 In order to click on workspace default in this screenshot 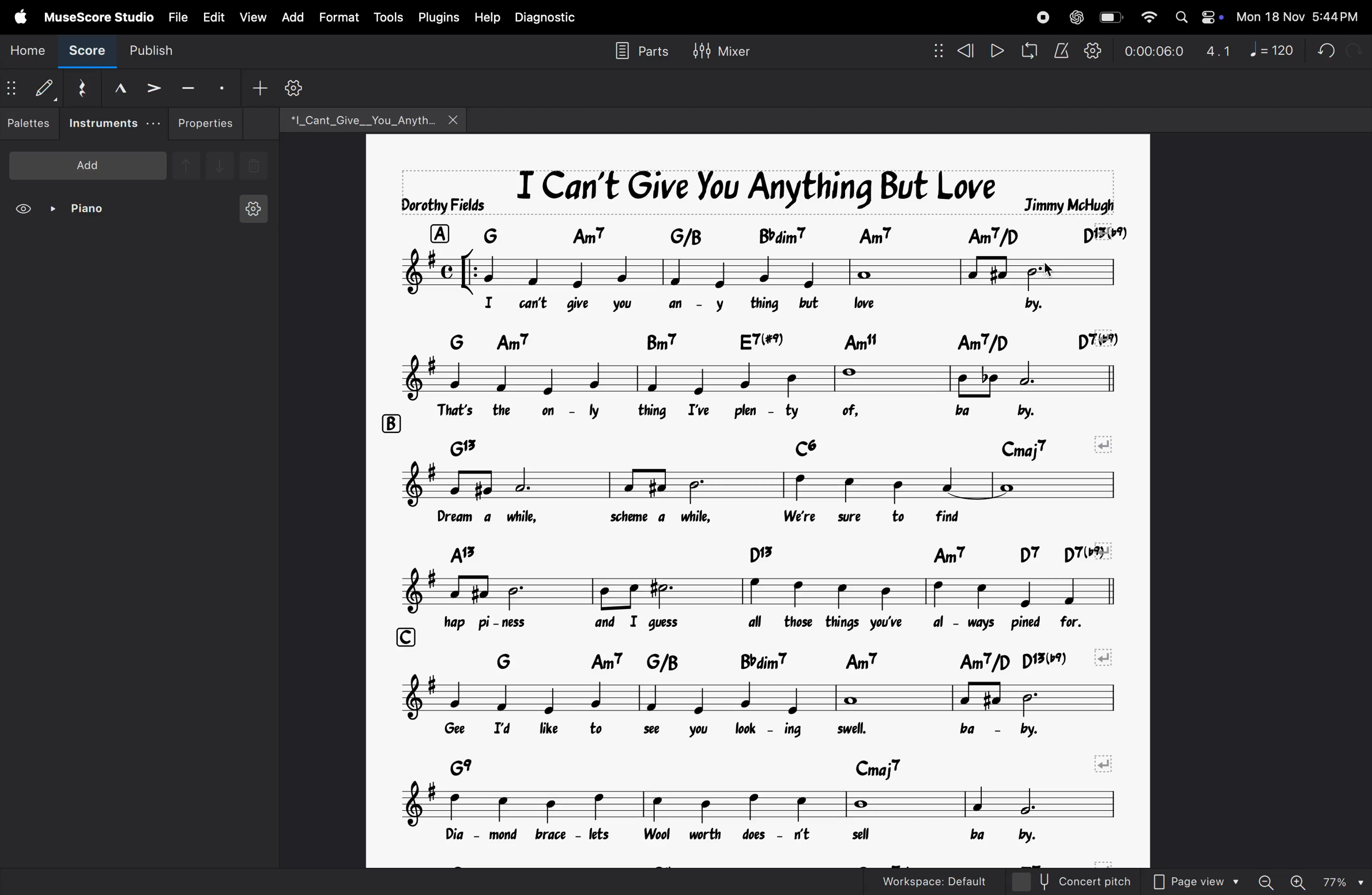, I will do `click(926, 881)`.